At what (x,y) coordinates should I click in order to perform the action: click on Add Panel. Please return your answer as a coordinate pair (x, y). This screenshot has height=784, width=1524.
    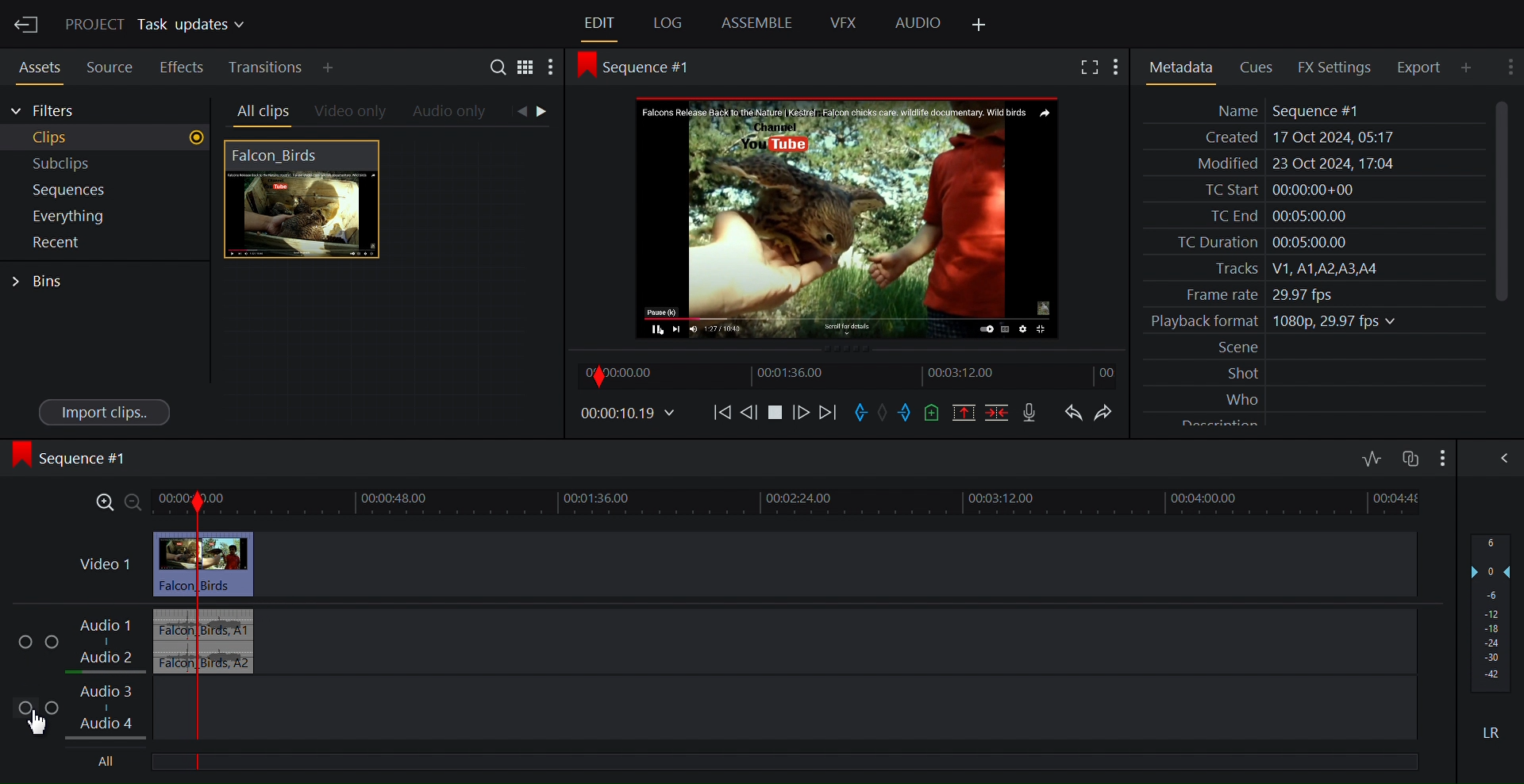
    Looking at the image, I should click on (978, 25).